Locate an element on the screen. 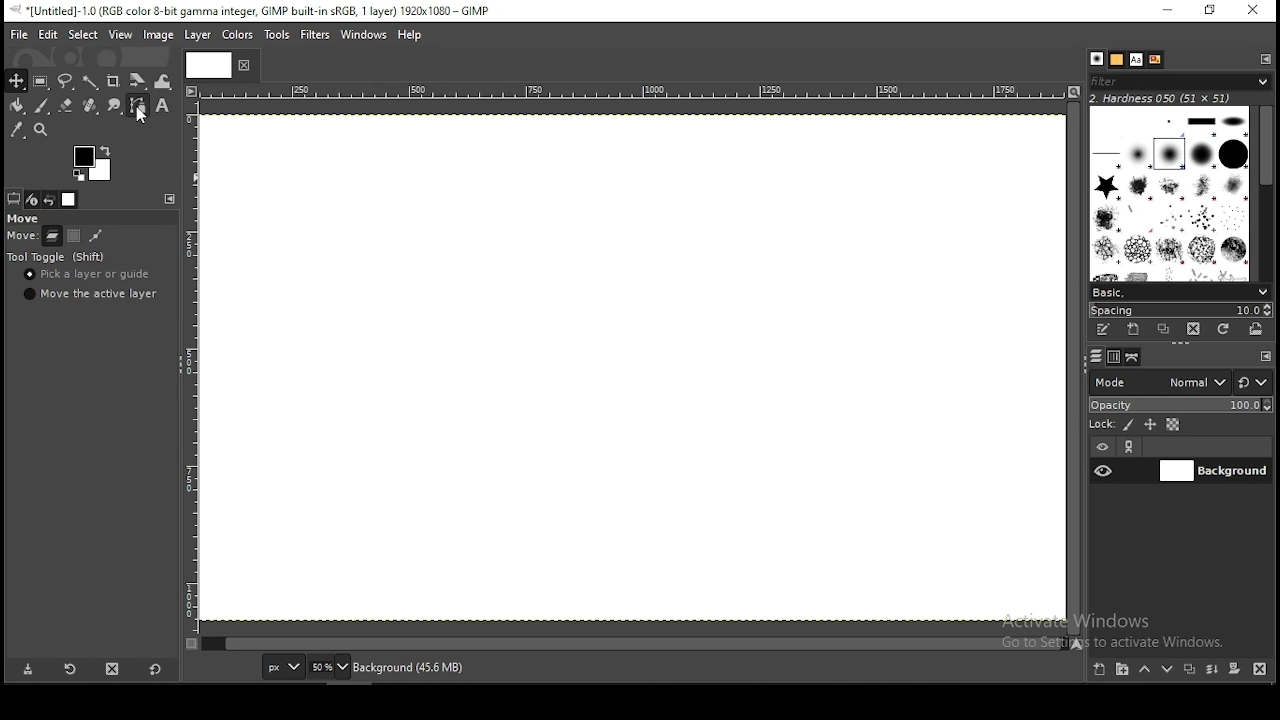  zoom tool is located at coordinates (42, 129).